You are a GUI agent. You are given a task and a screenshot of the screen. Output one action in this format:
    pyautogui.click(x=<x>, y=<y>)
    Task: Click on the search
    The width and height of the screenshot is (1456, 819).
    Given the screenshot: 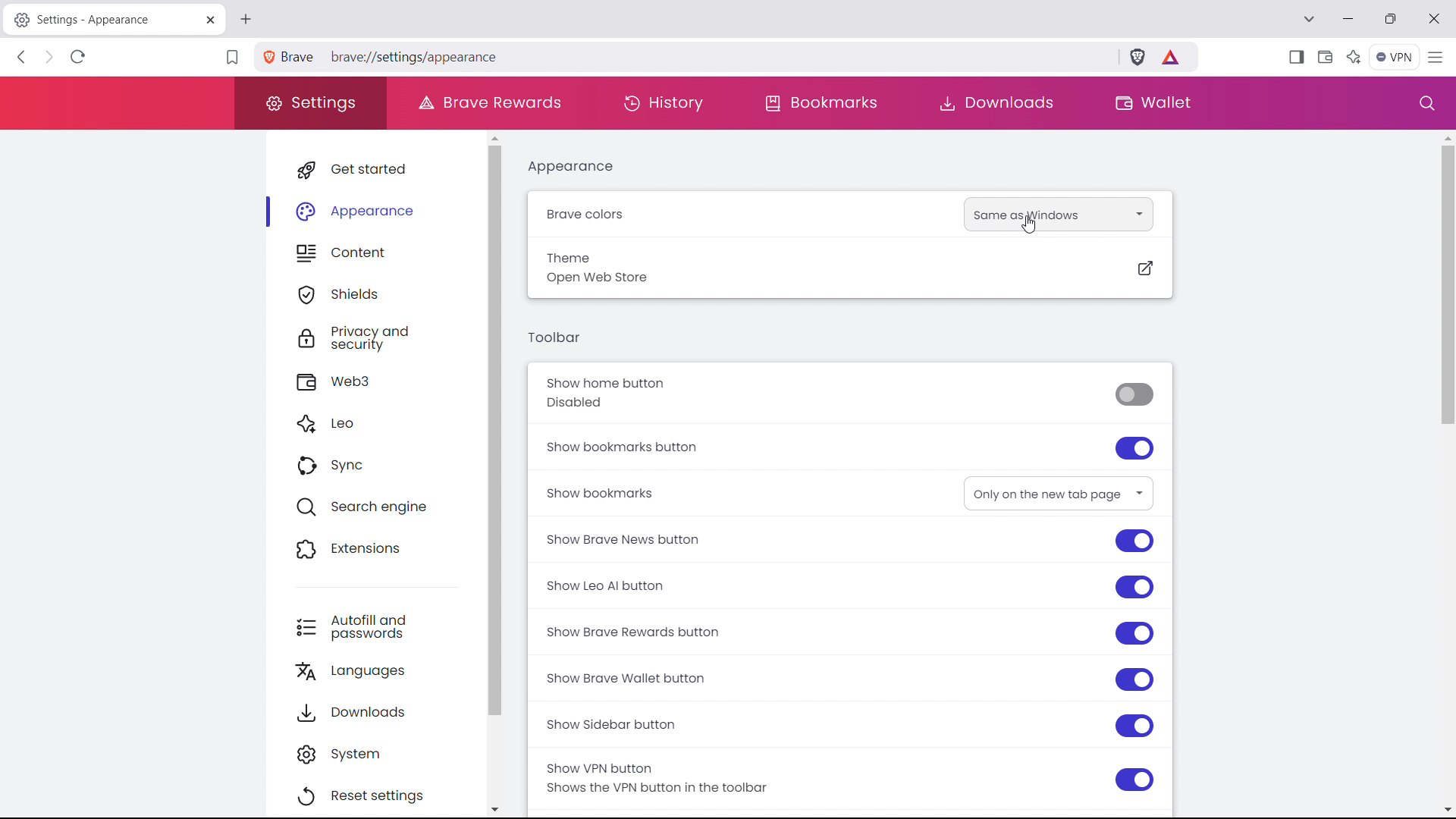 What is the action you would take?
    pyautogui.click(x=1422, y=102)
    